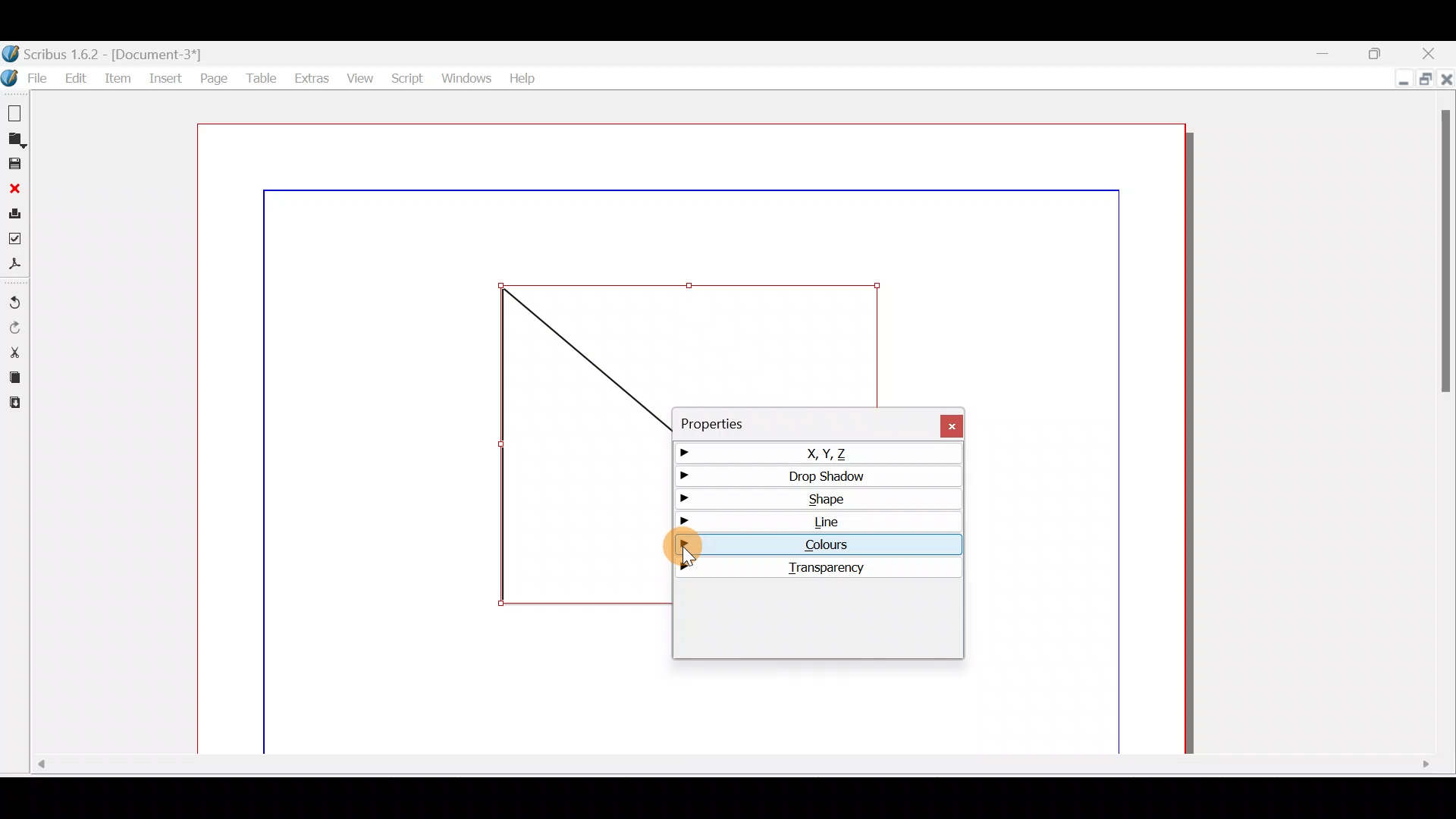 This screenshot has width=1456, height=819. What do you see at coordinates (1323, 52) in the screenshot?
I see `Minimise` at bounding box center [1323, 52].